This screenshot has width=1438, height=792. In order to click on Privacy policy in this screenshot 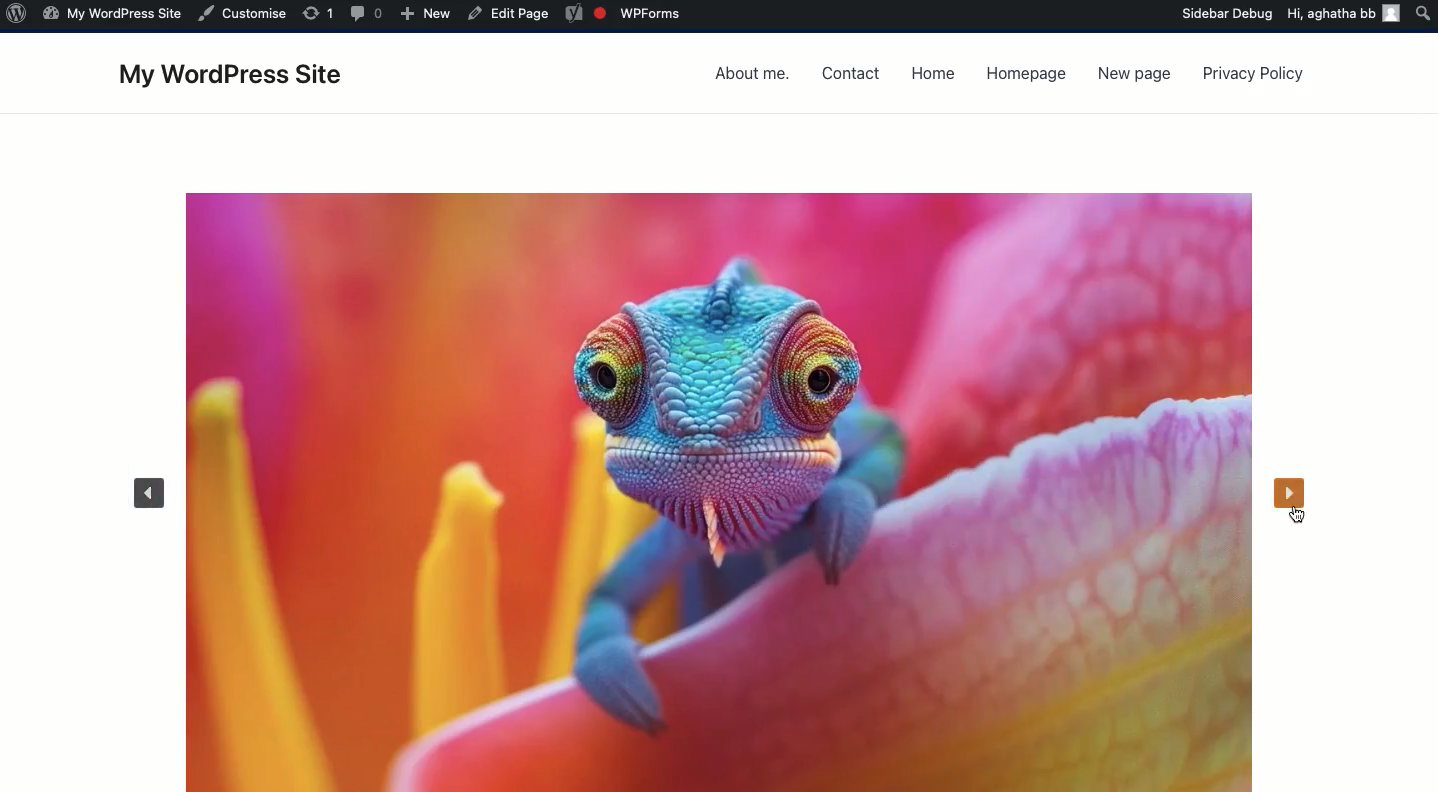, I will do `click(1253, 75)`.